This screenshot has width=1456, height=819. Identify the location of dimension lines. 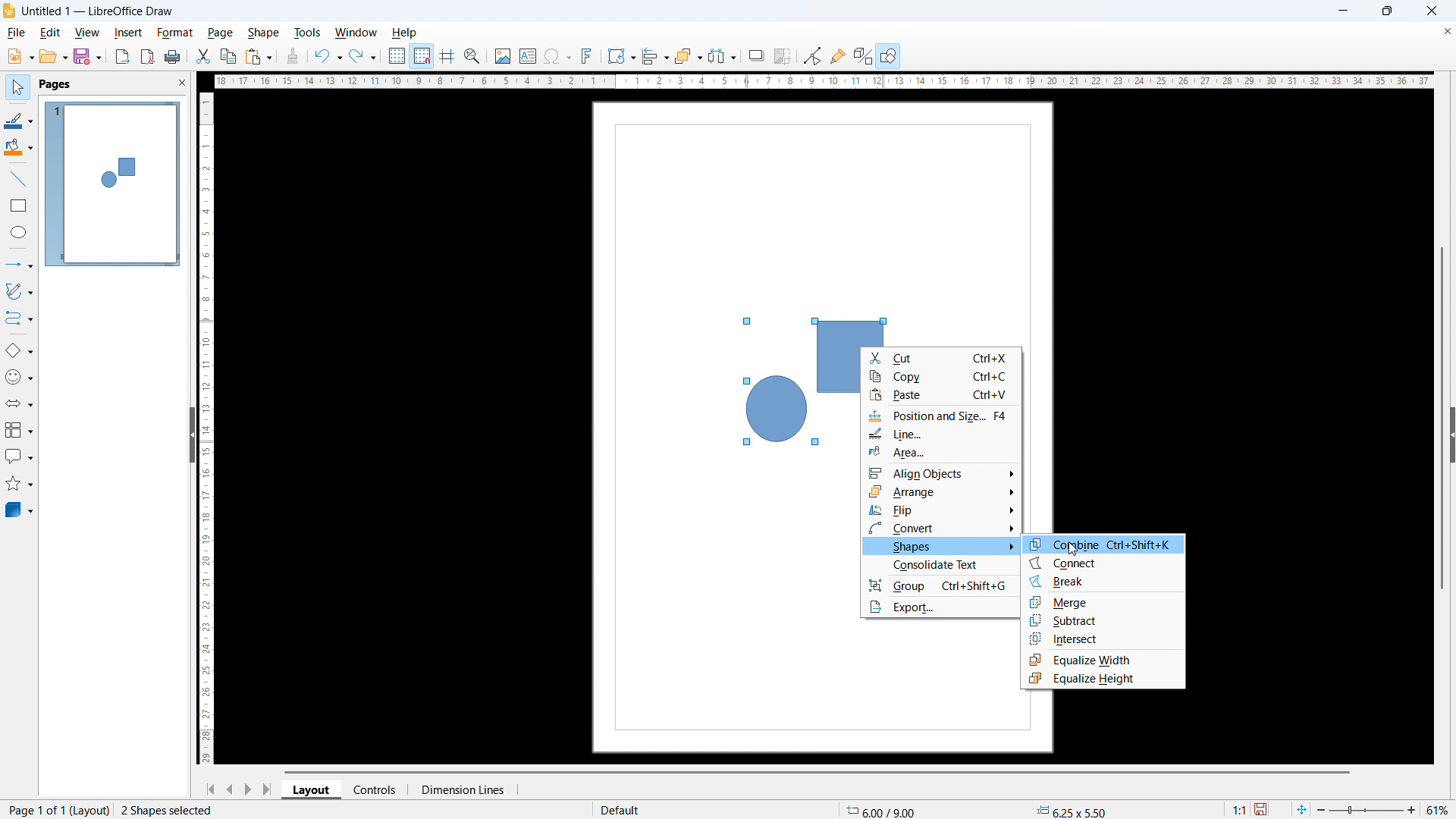
(461, 790).